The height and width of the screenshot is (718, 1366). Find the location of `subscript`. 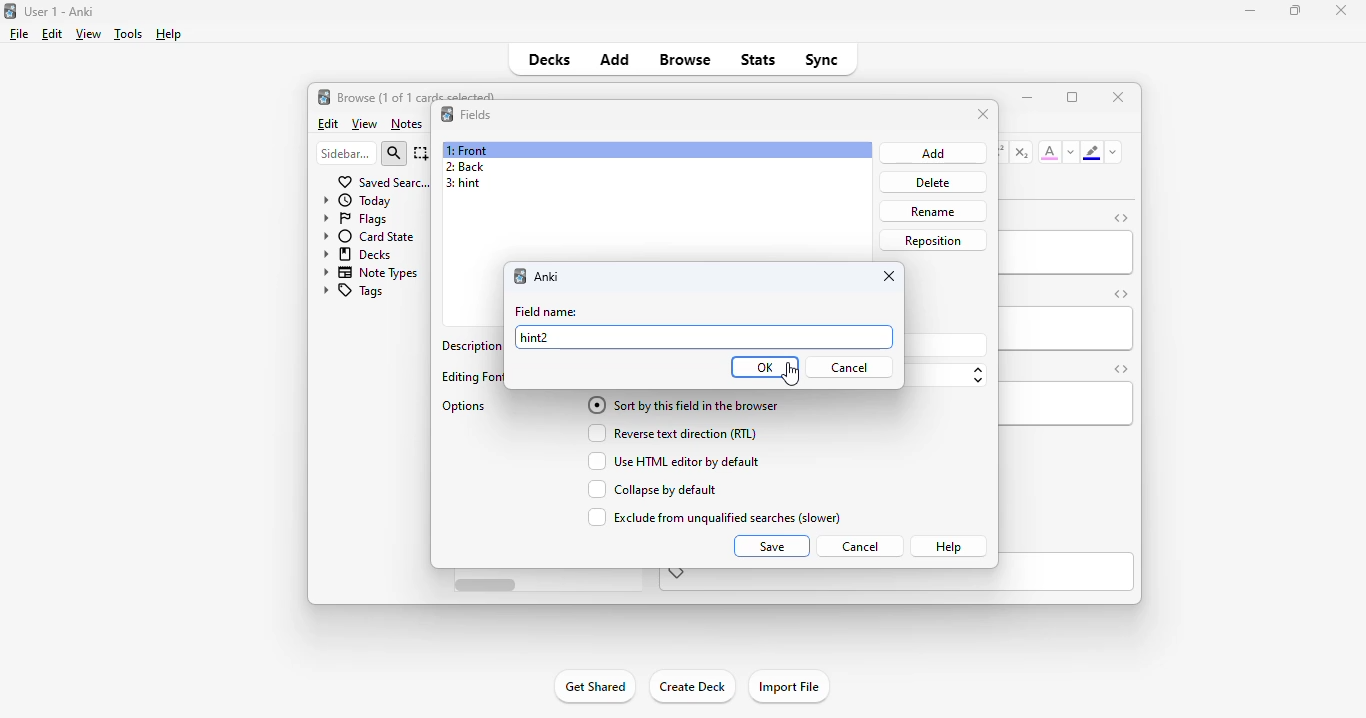

subscript is located at coordinates (1021, 152).